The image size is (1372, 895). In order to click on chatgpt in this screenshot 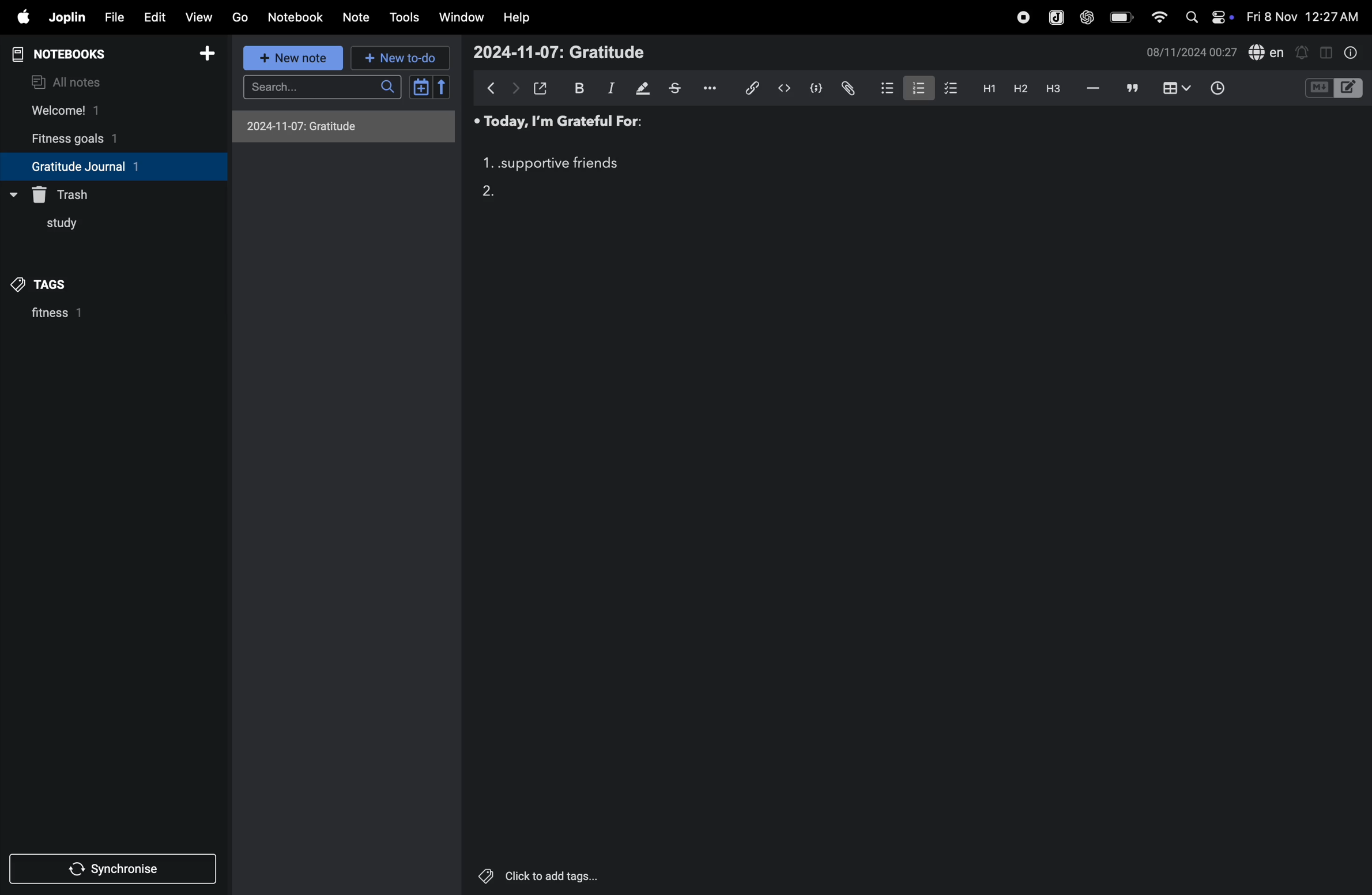, I will do `click(1086, 18)`.